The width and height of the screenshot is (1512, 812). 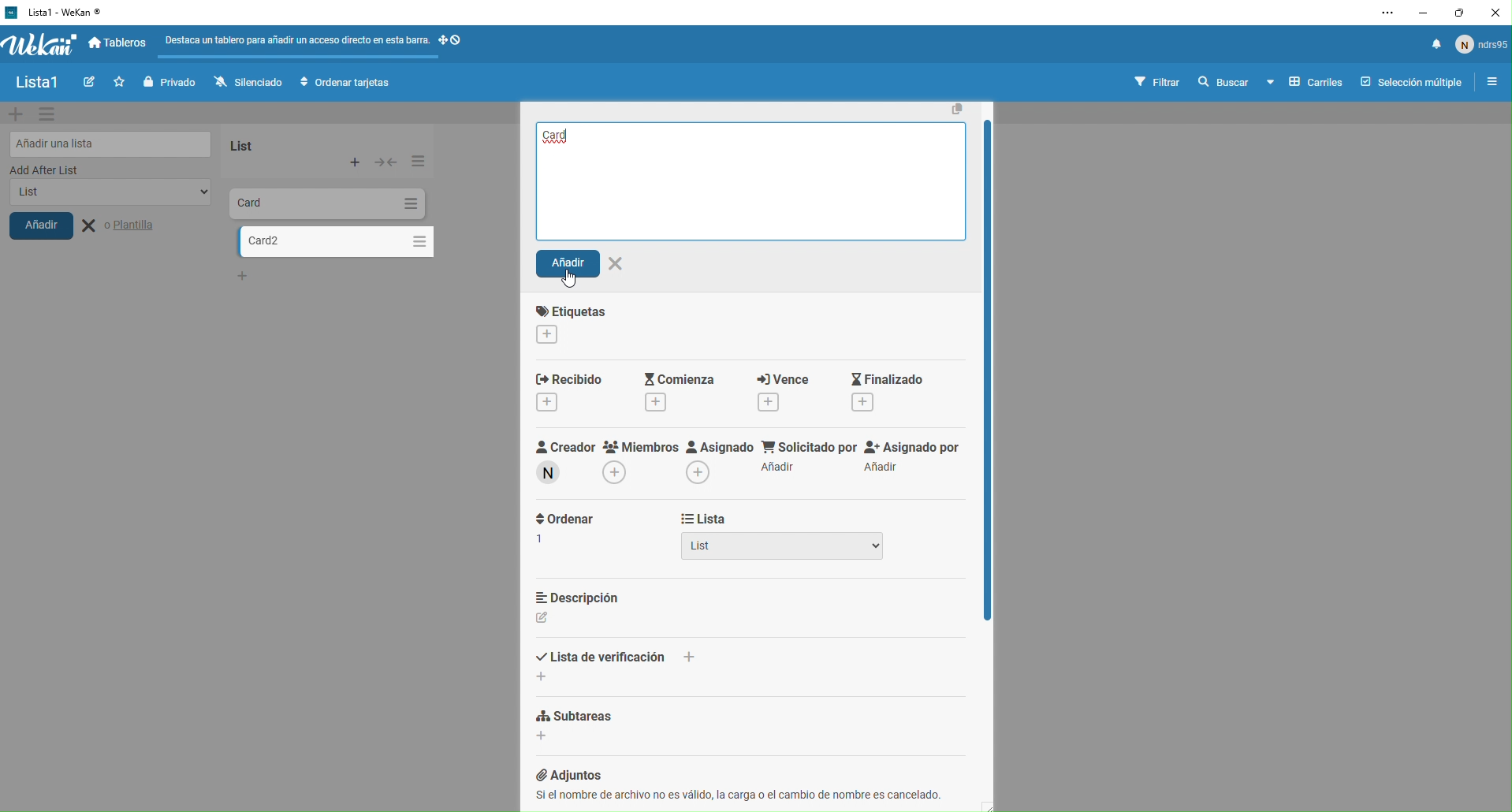 What do you see at coordinates (565, 528) in the screenshot?
I see `ordernar` at bounding box center [565, 528].